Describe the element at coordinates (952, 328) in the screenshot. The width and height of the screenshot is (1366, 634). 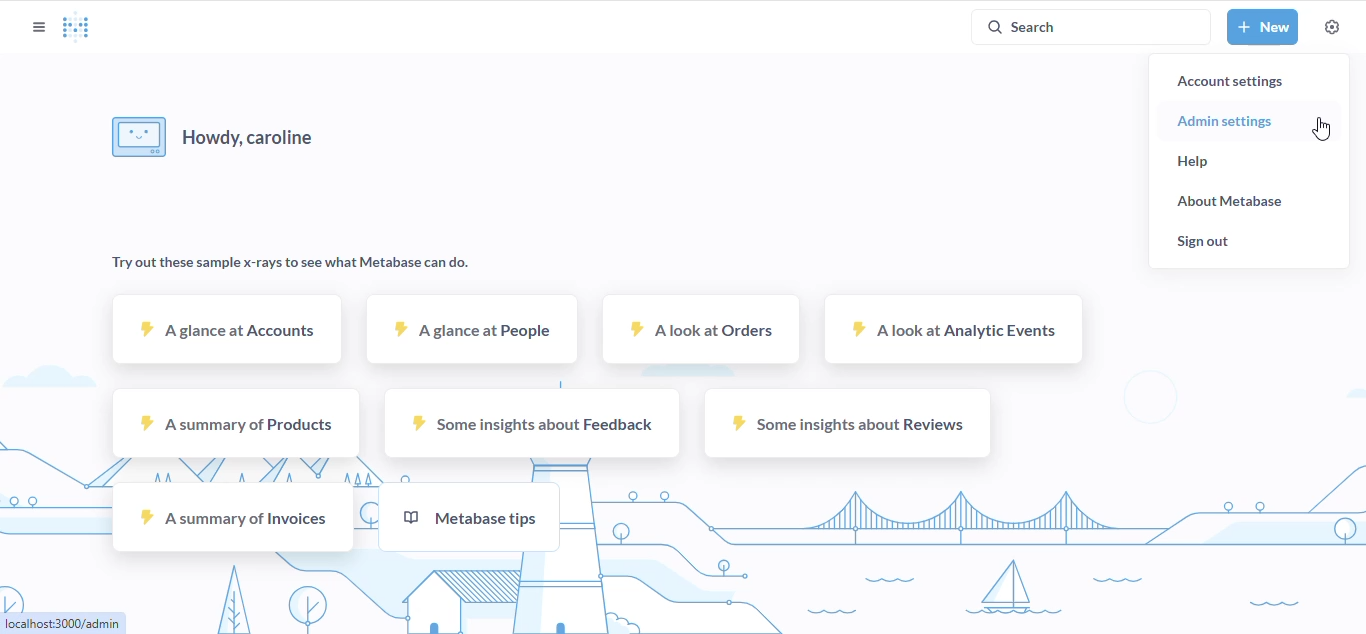
I see `a look at analytic events` at that location.